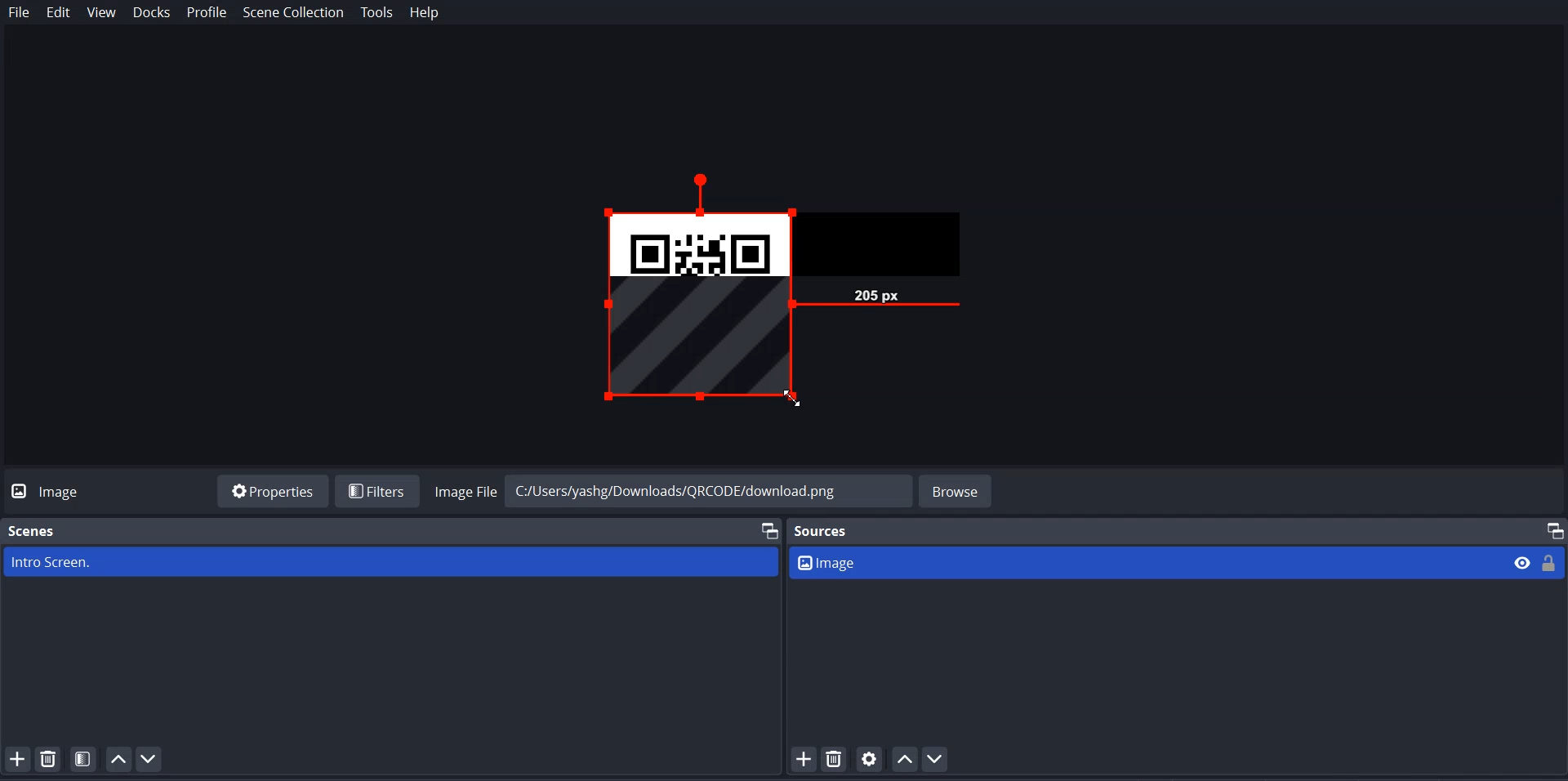 The width and height of the screenshot is (1568, 781). I want to click on Logo, so click(51, 490).